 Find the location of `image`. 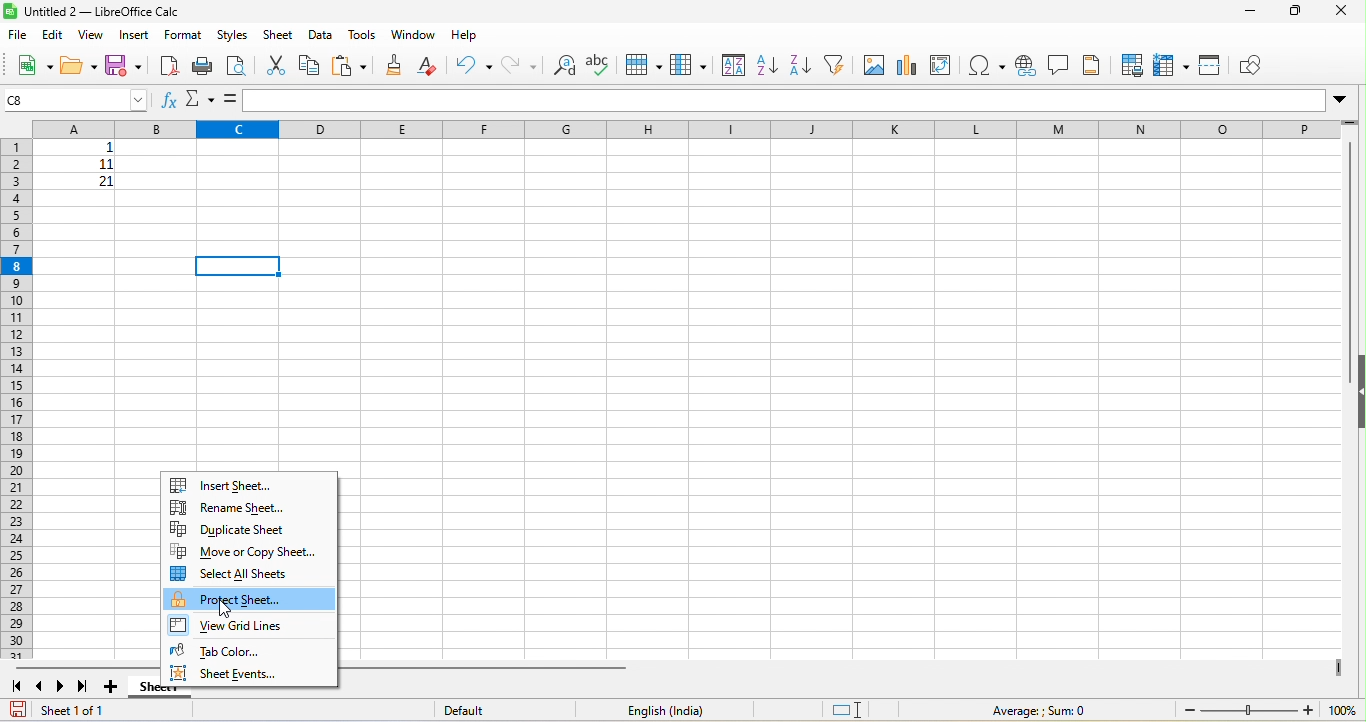

image is located at coordinates (873, 65).